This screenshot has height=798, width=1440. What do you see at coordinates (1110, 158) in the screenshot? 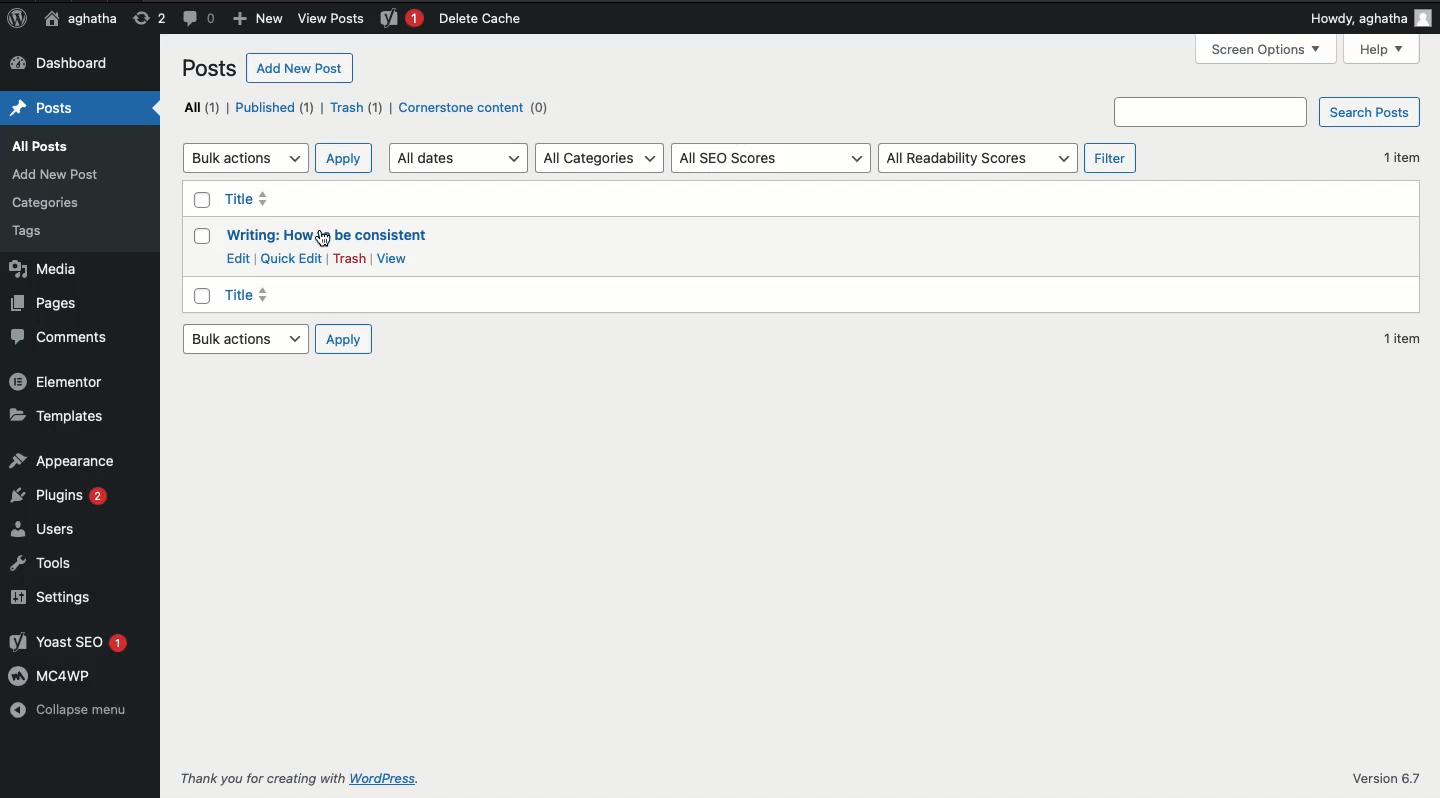
I see `Filter` at bounding box center [1110, 158].